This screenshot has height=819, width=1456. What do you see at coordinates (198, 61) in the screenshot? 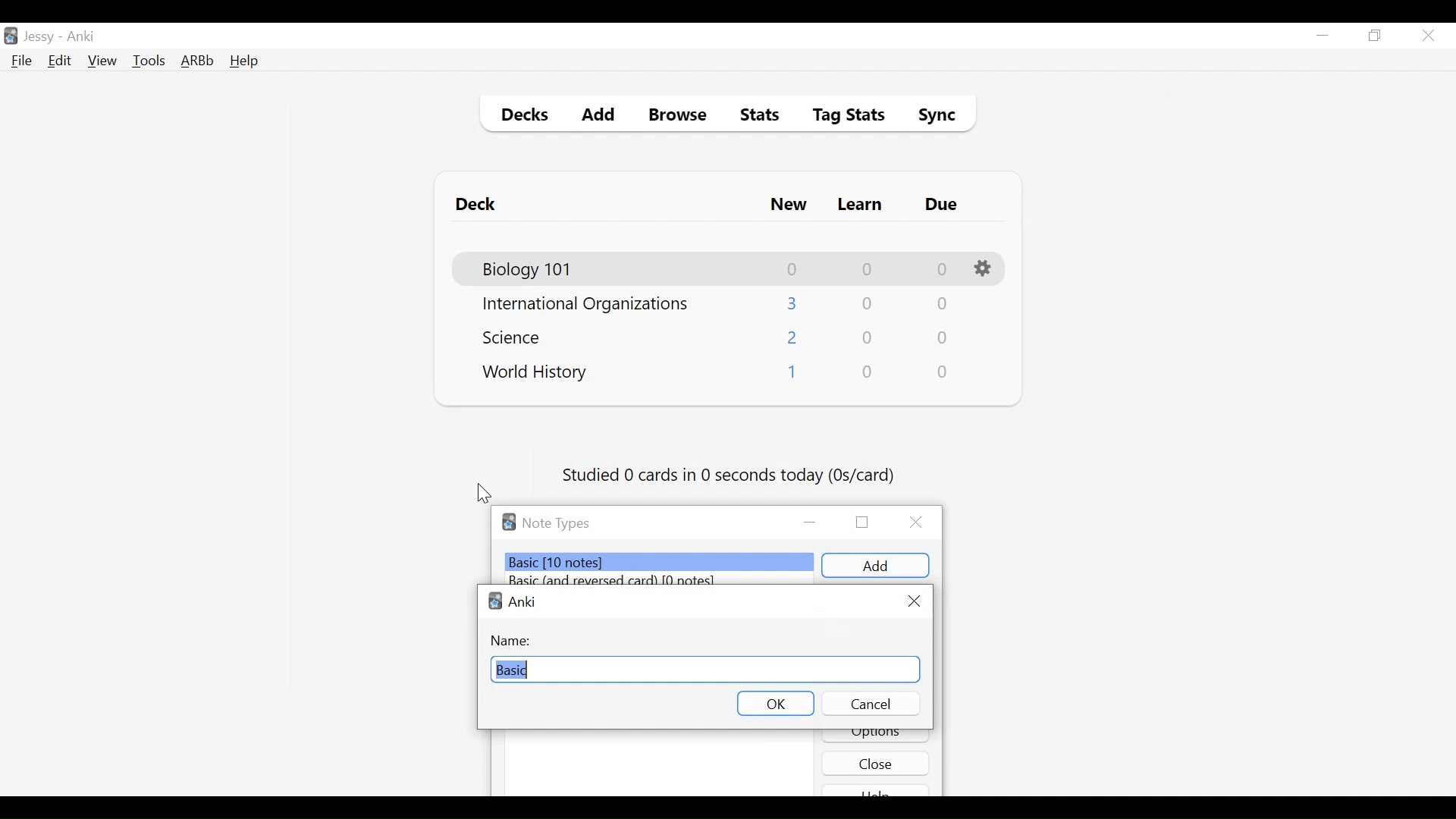
I see `Advanced Review Button bar` at bounding box center [198, 61].